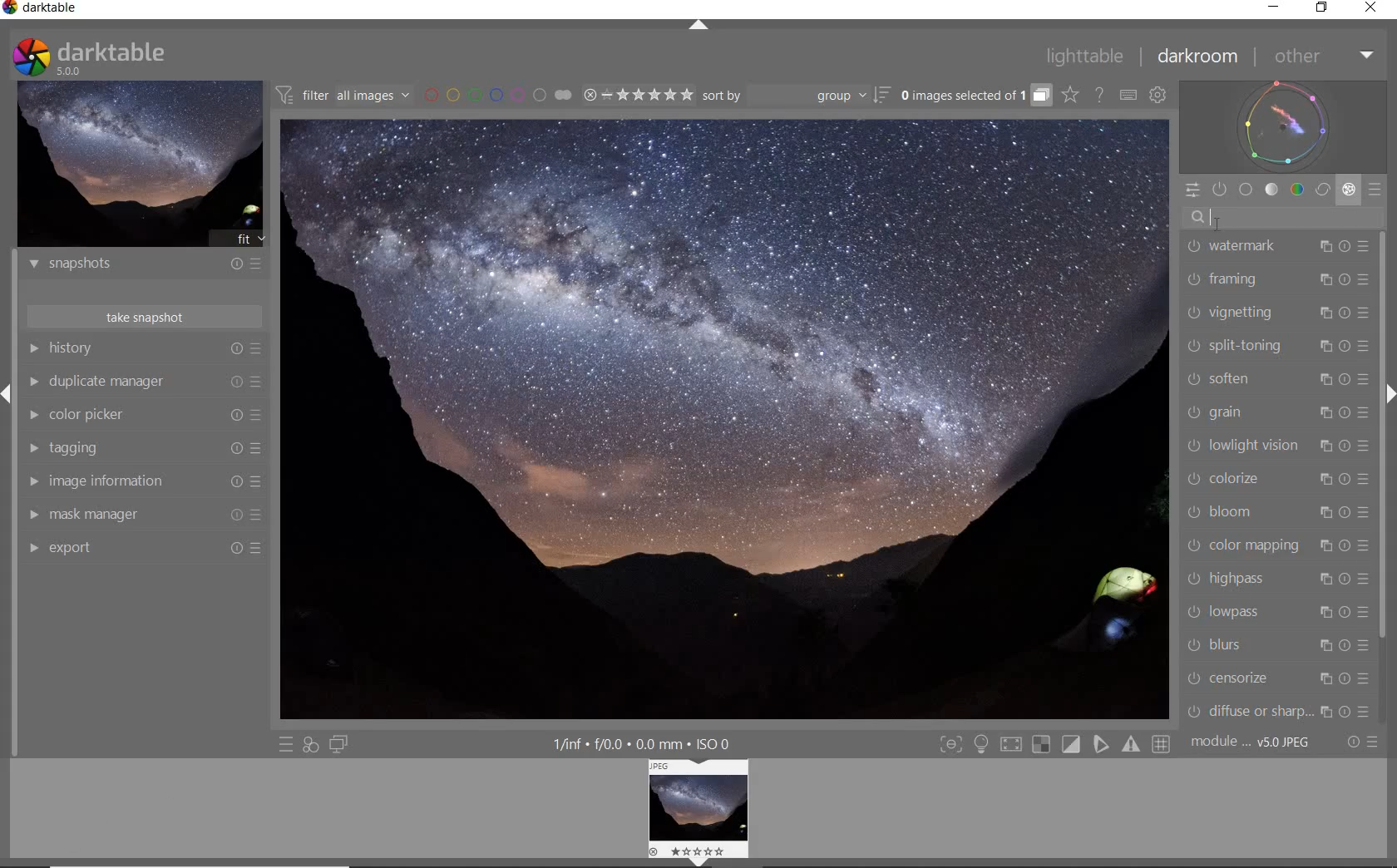 This screenshot has width=1397, height=868. Describe the element at coordinates (1216, 645) in the screenshot. I see `BLURS` at that location.